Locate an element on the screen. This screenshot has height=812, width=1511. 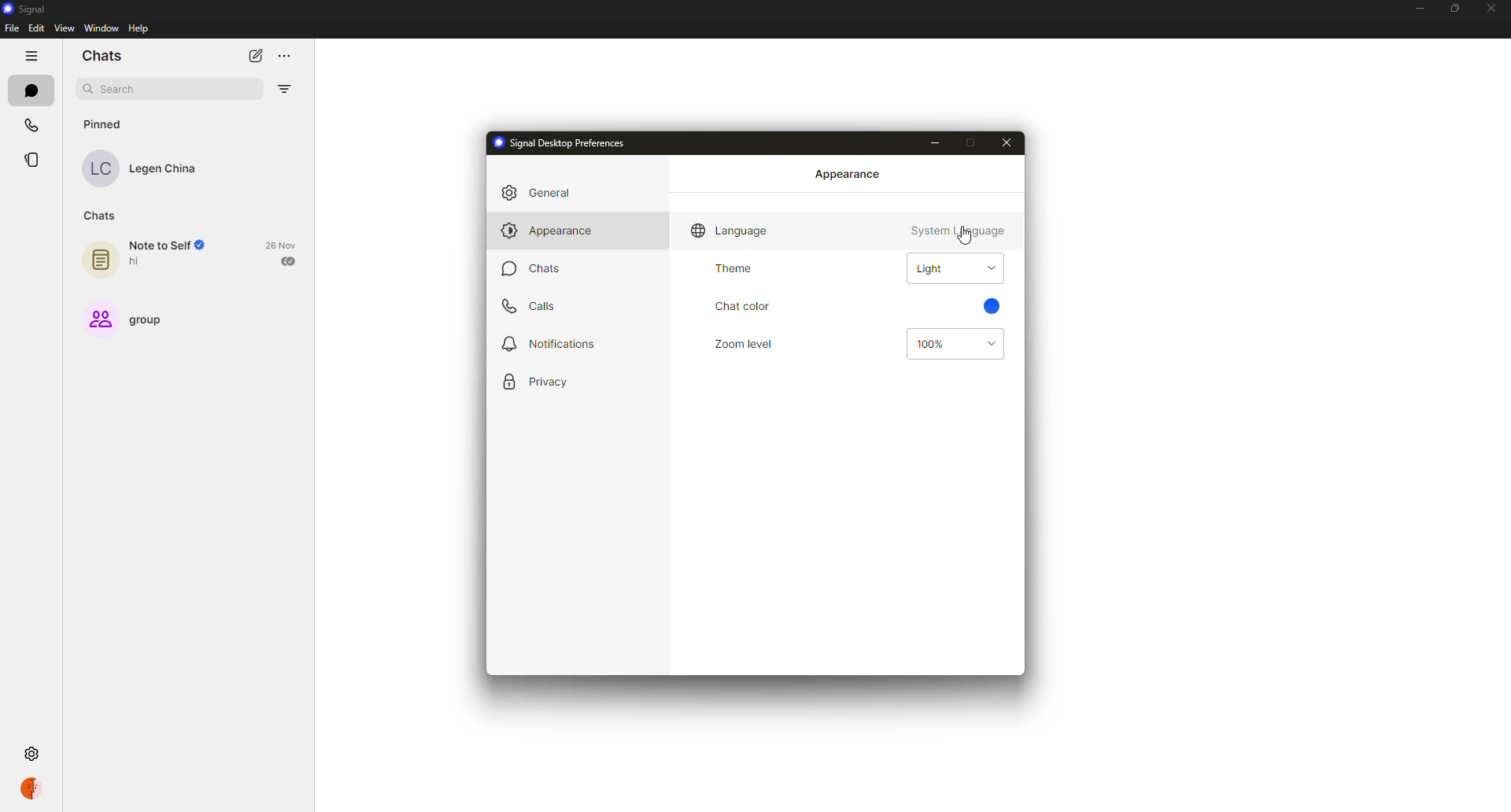
cursor is located at coordinates (964, 236).